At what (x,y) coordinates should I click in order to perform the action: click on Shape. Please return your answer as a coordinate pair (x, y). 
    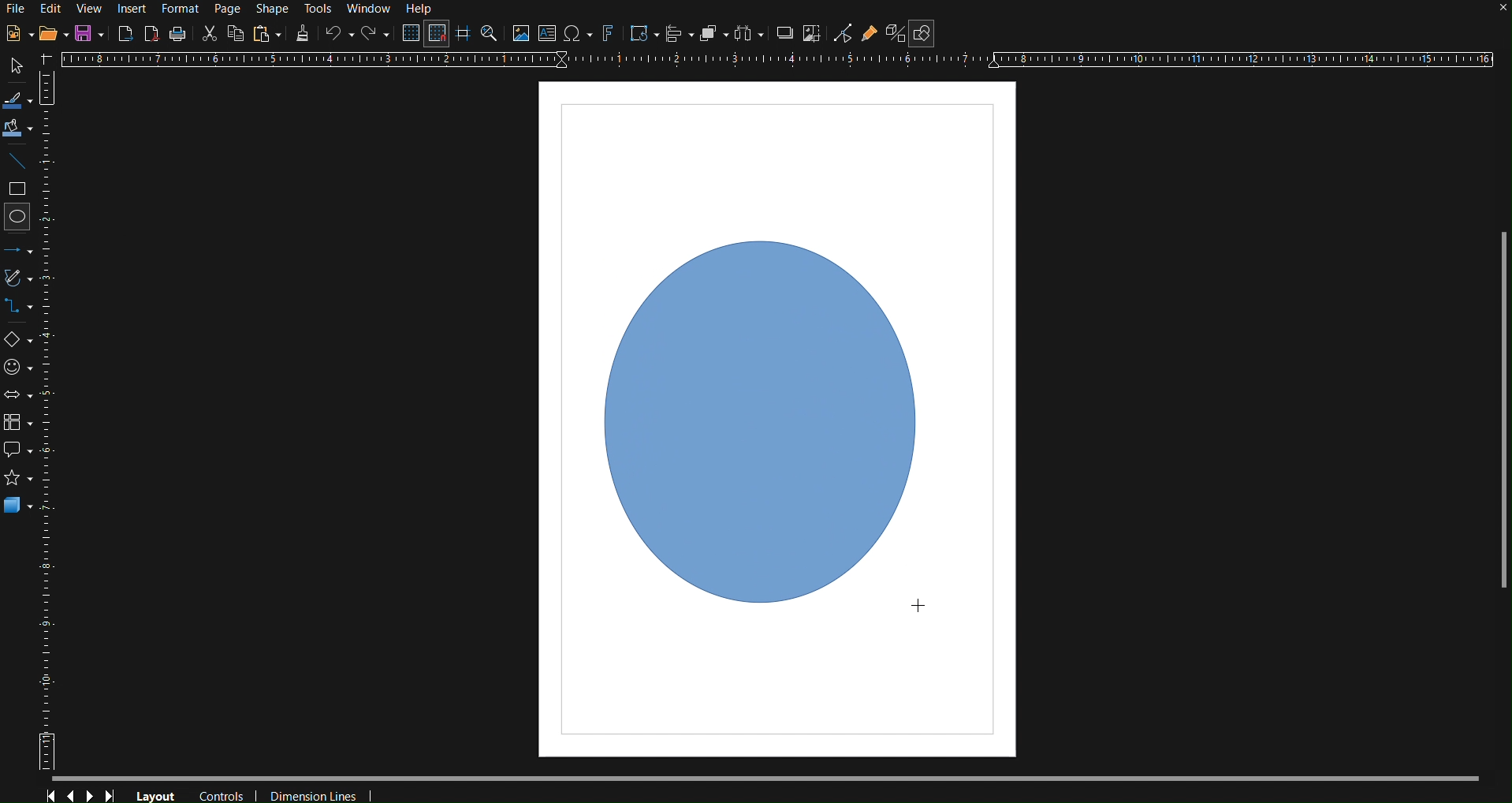
    Looking at the image, I should click on (270, 9).